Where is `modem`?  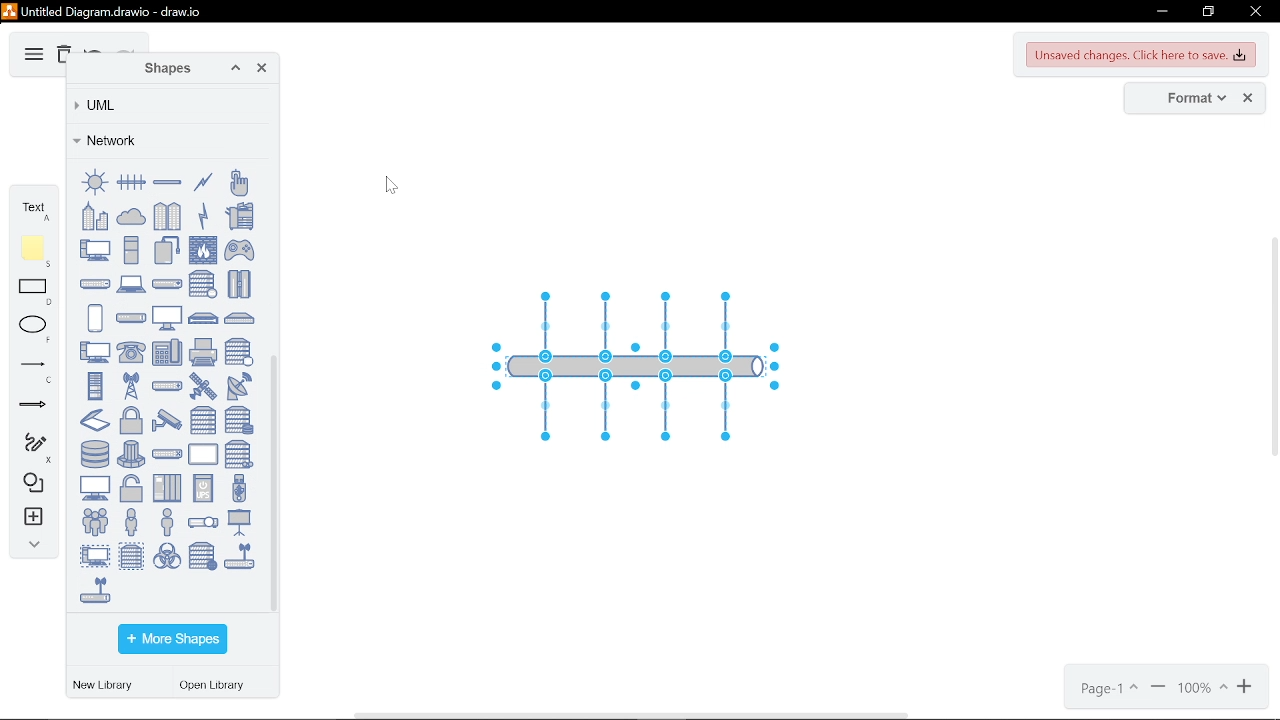 modem is located at coordinates (131, 318).